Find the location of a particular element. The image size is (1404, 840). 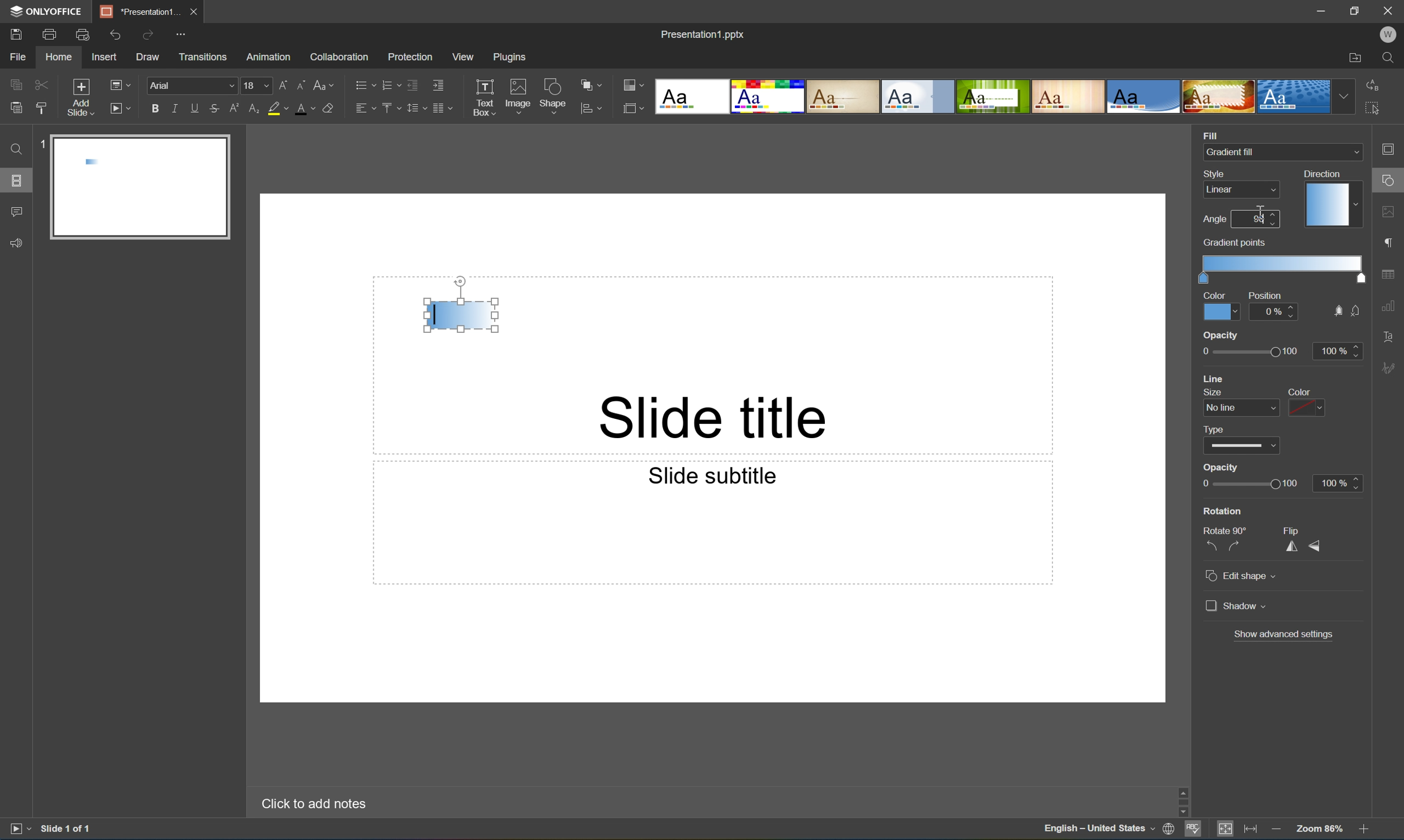

100% is located at coordinates (1337, 351).